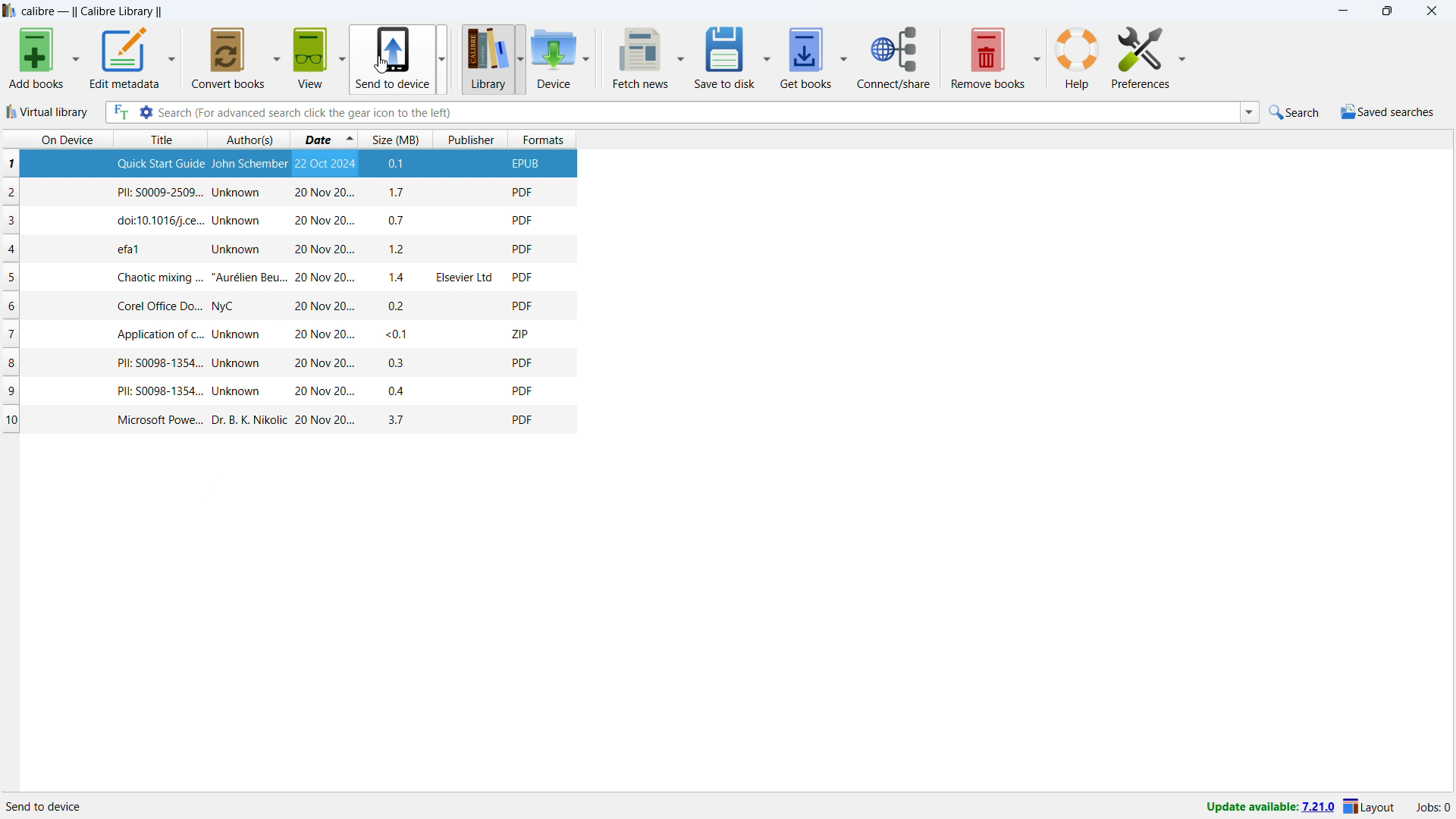 The height and width of the screenshot is (819, 1456). Describe the element at coordinates (93, 12) in the screenshot. I see `title` at that location.